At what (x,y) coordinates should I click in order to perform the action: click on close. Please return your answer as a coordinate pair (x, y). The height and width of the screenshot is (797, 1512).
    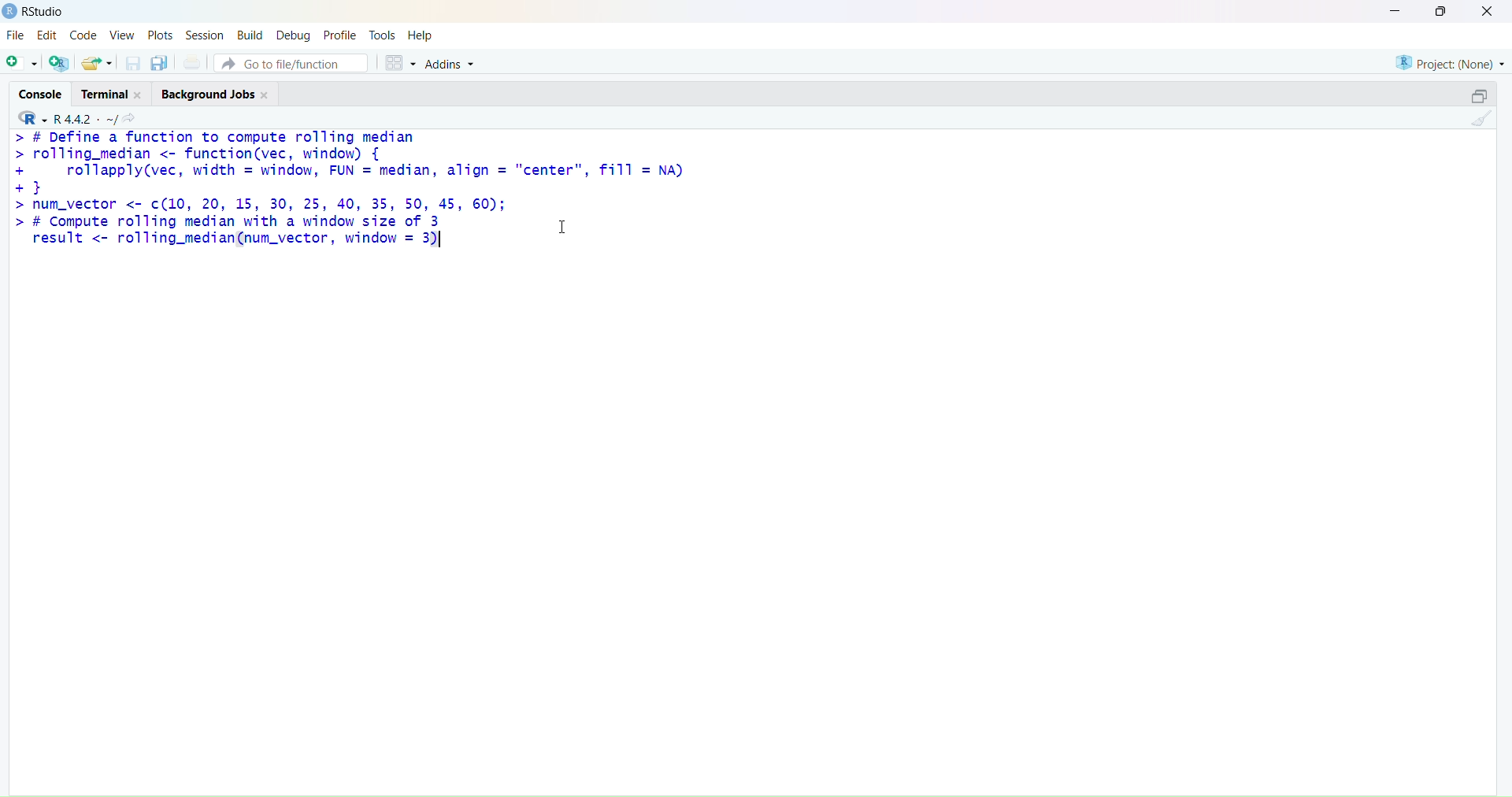
    Looking at the image, I should click on (137, 95).